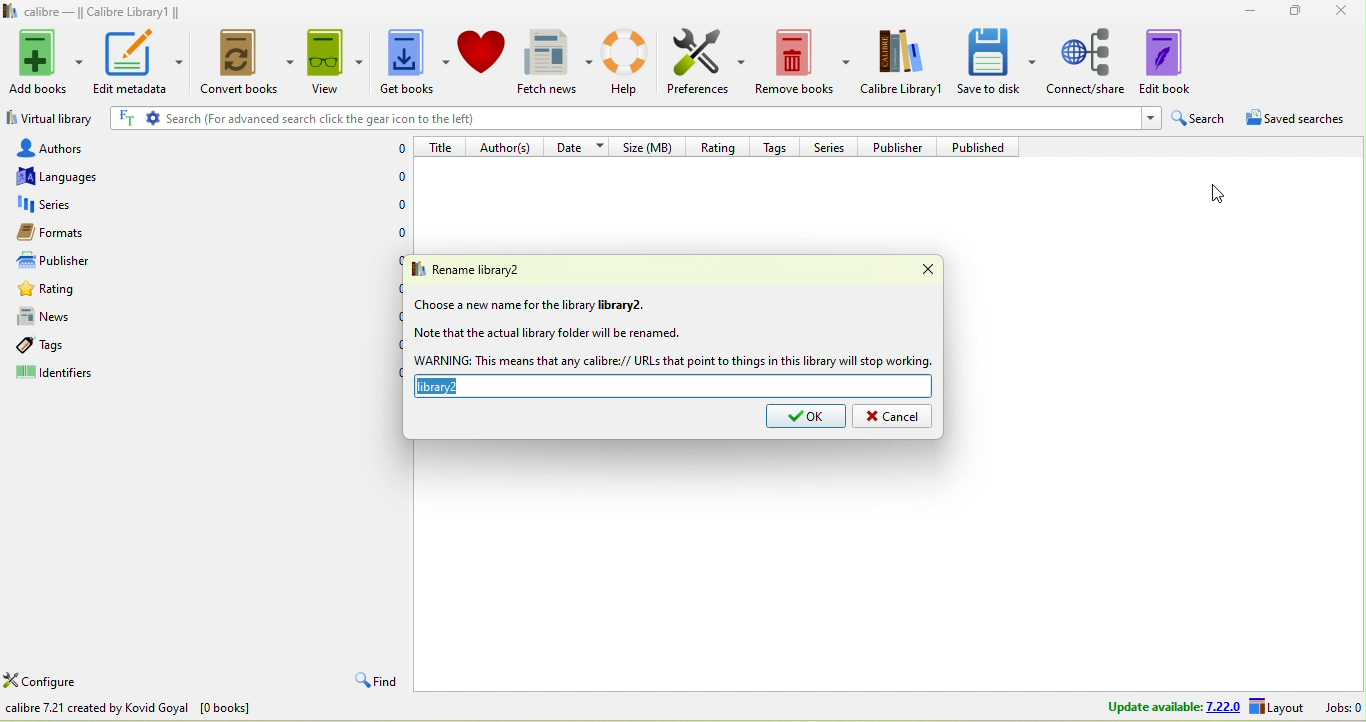 The image size is (1366, 722). Describe the element at coordinates (482, 51) in the screenshot. I see `donate` at that location.